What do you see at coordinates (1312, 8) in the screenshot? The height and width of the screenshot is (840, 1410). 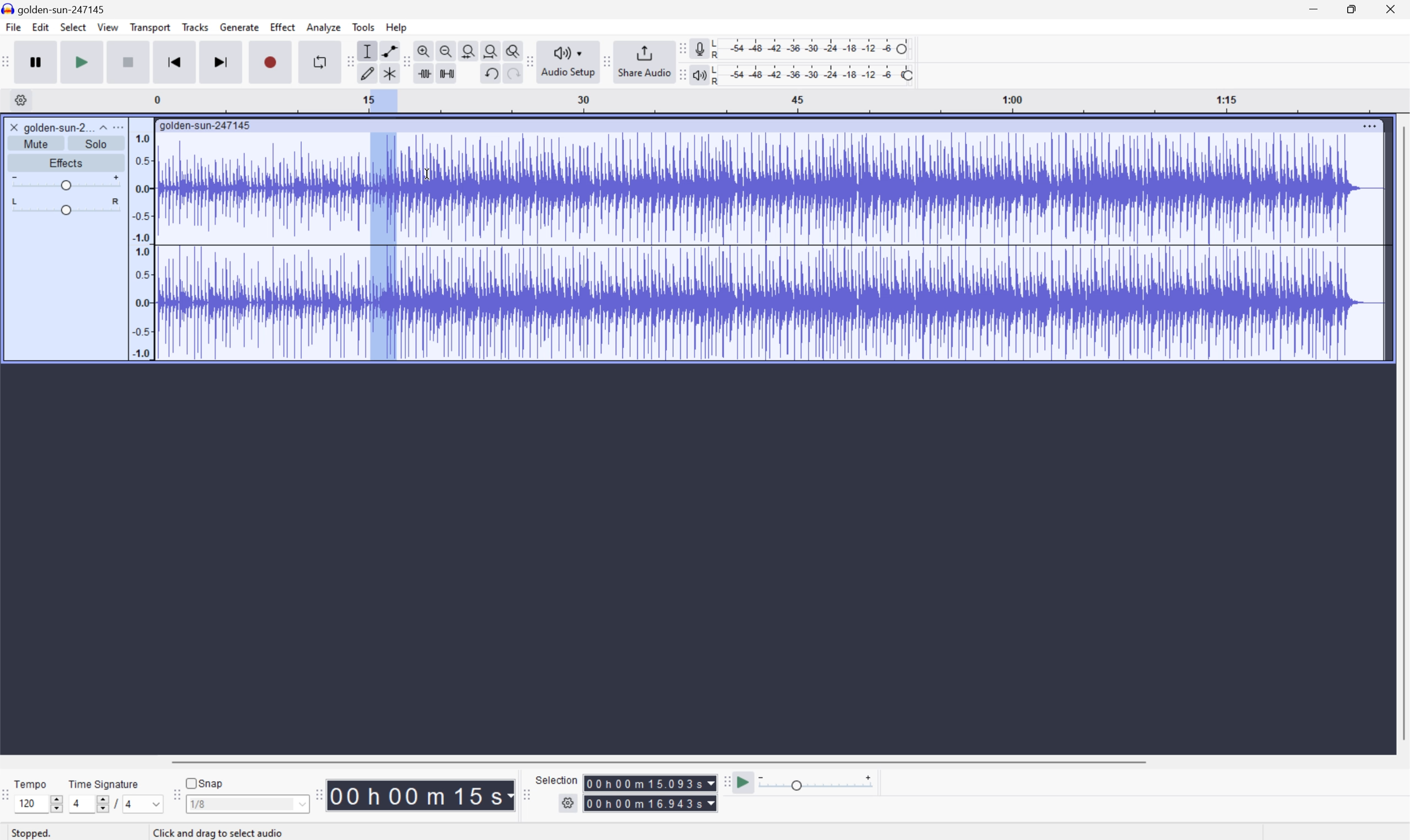 I see `Minimize` at bounding box center [1312, 8].